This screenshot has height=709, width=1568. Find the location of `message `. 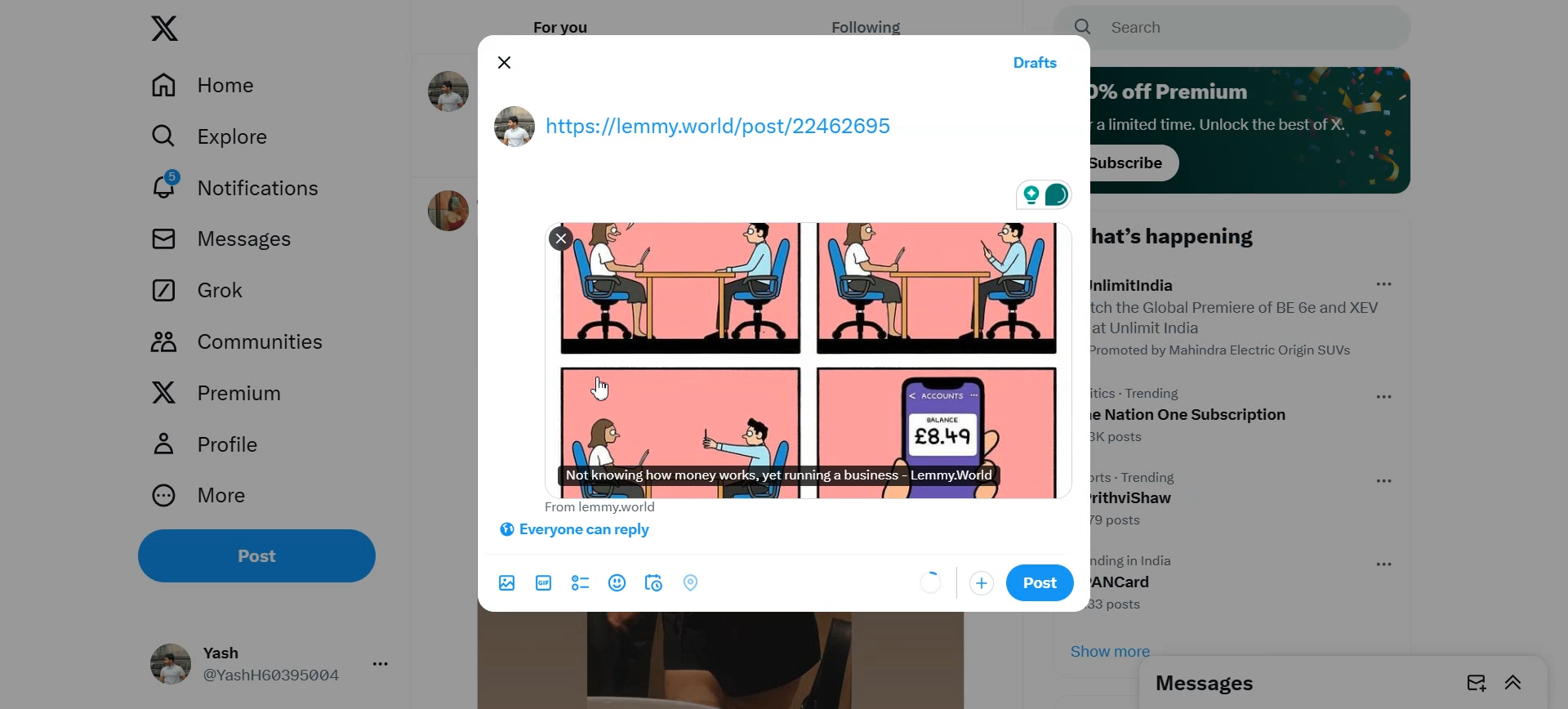

message  is located at coordinates (1217, 683).